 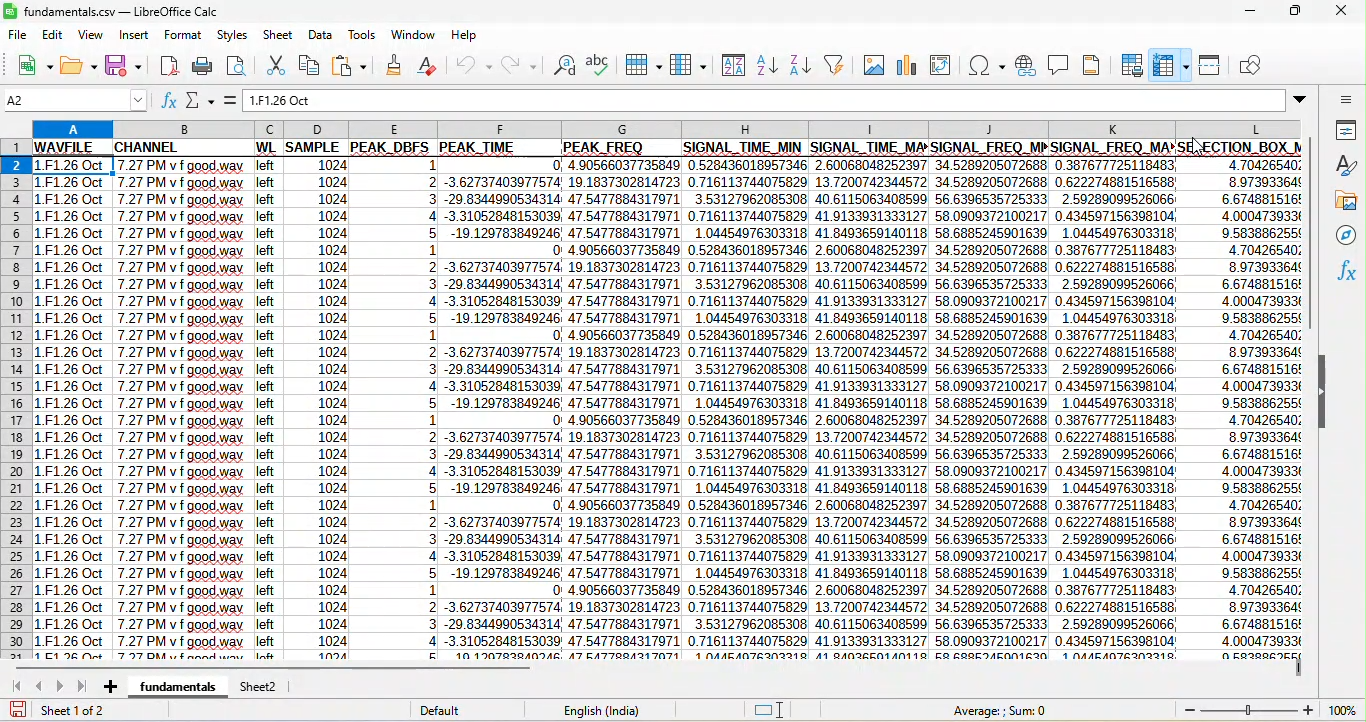 What do you see at coordinates (235, 64) in the screenshot?
I see `print preview` at bounding box center [235, 64].